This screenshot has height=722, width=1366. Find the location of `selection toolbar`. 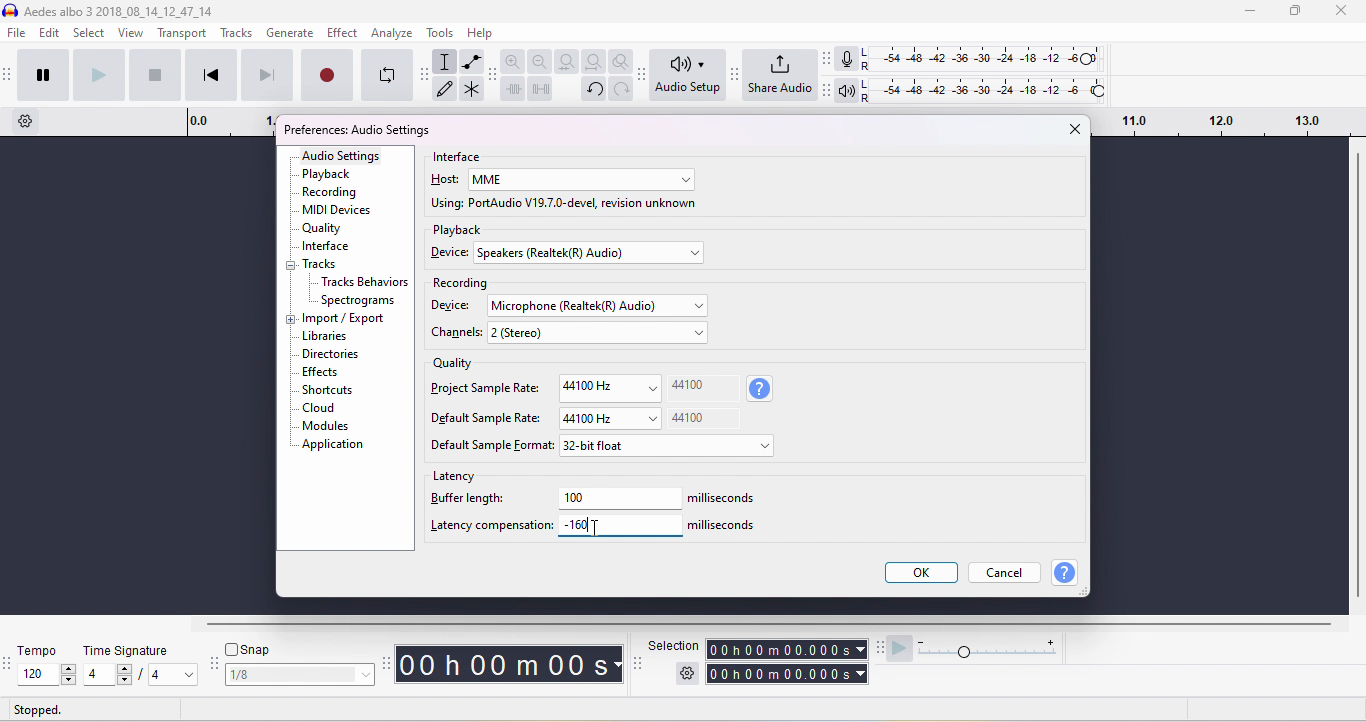

selection toolbar is located at coordinates (637, 662).